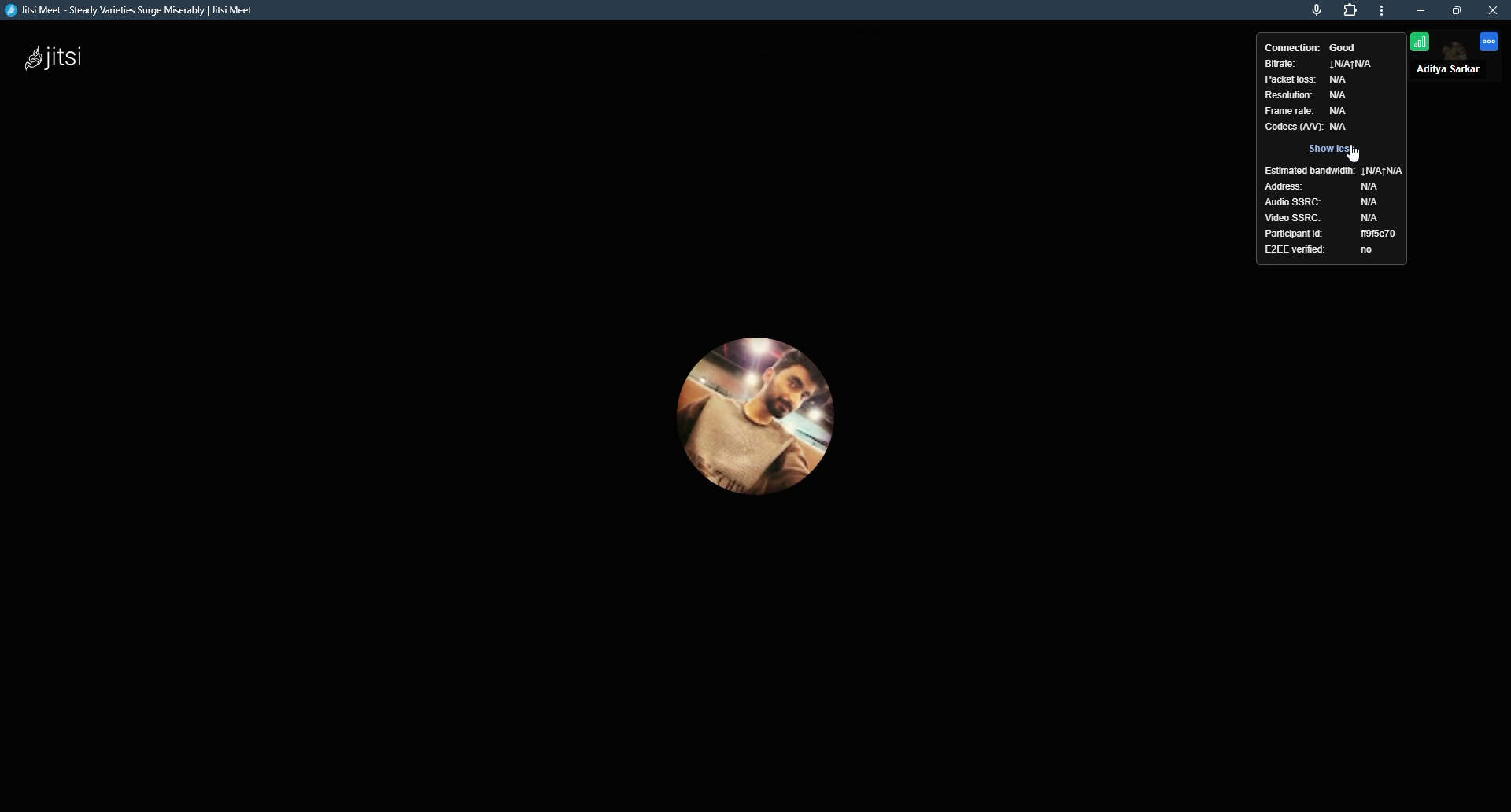 The image size is (1511, 812). Describe the element at coordinates (1387, 170) in the screenshot. I see `na` at that location.